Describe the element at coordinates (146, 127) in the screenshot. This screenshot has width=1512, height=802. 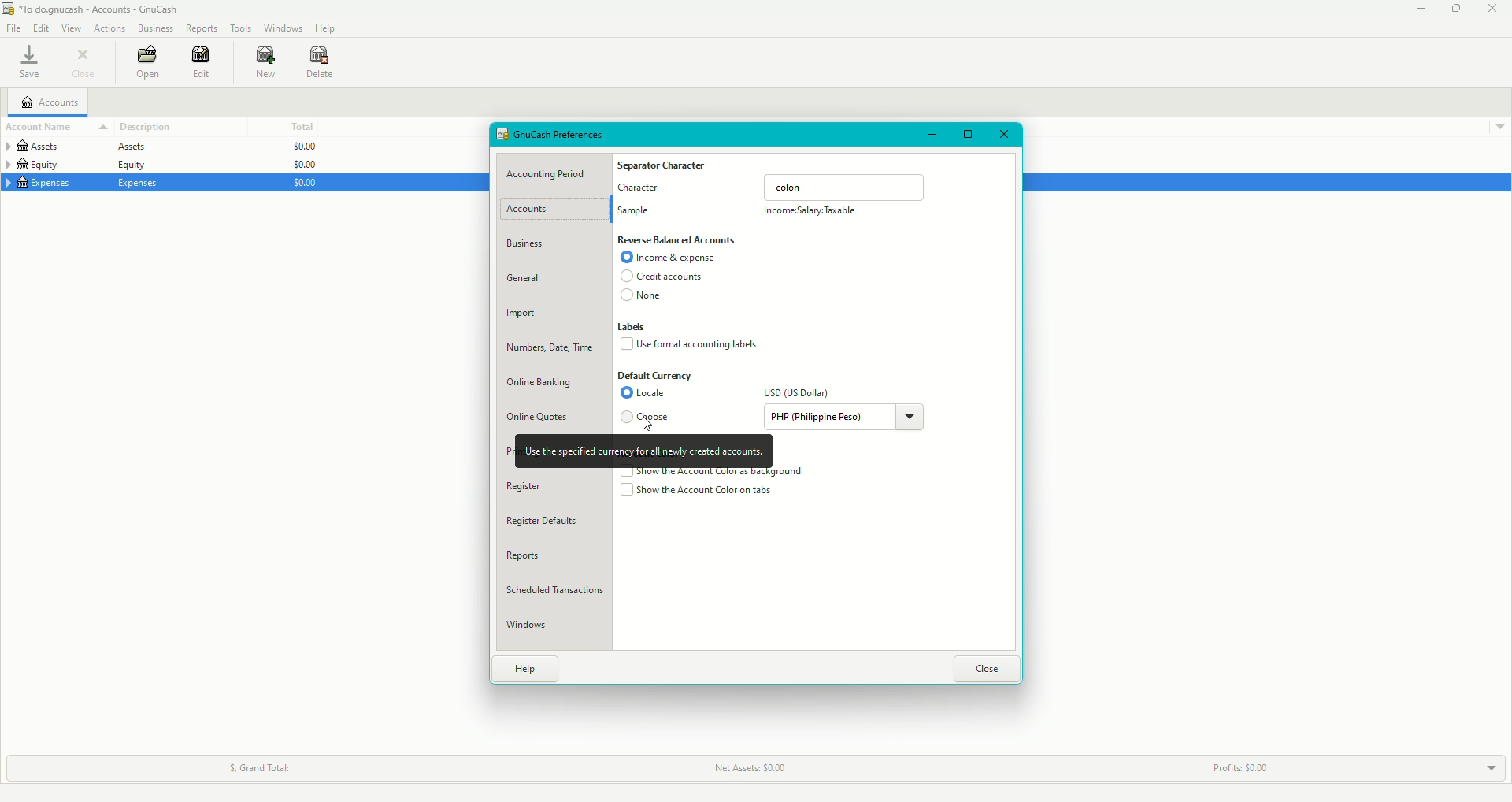
I see `Description` at that location.